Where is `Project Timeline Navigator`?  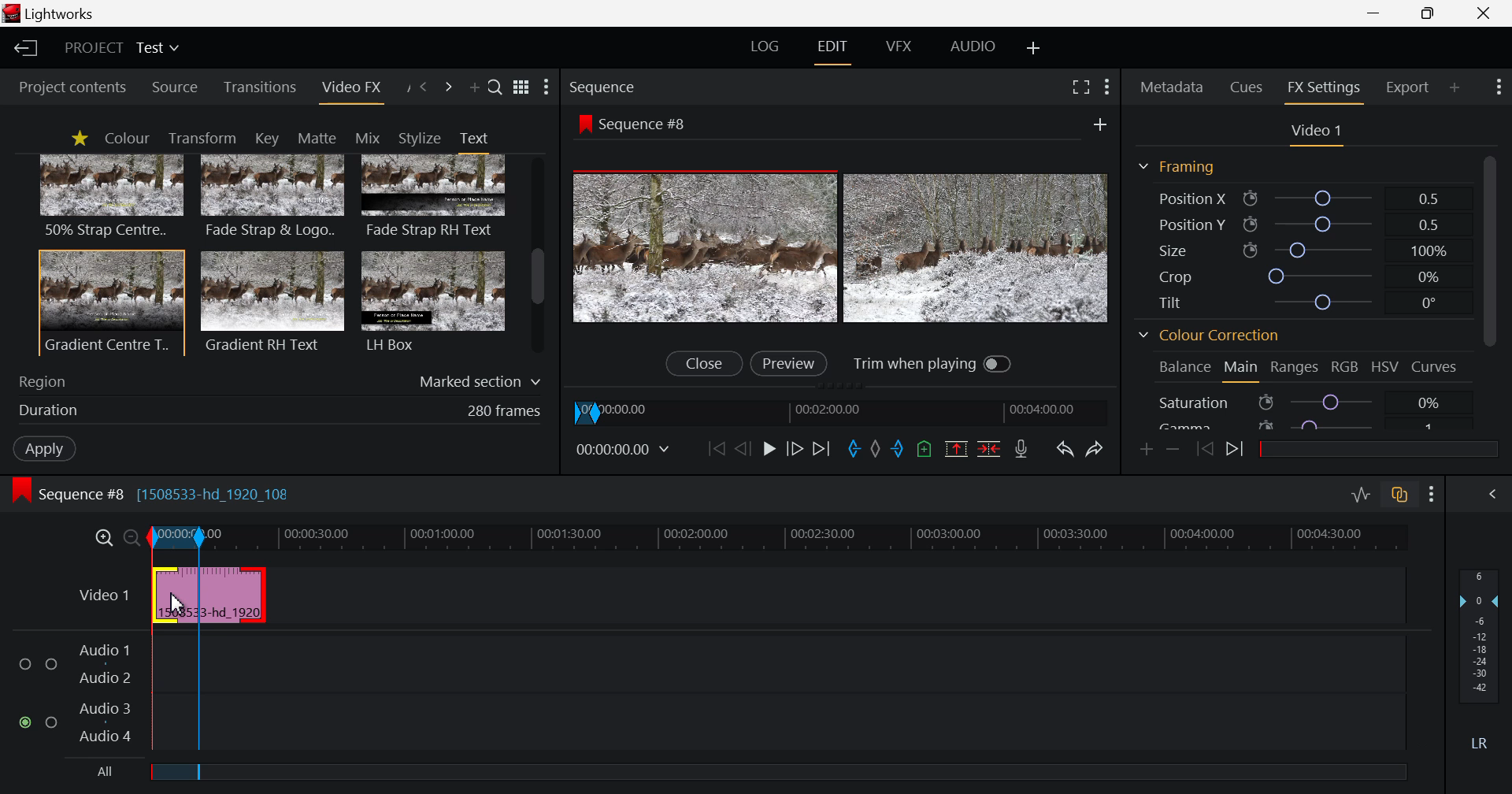
Project Timeline Navigator is located at coordinates (845, 409).